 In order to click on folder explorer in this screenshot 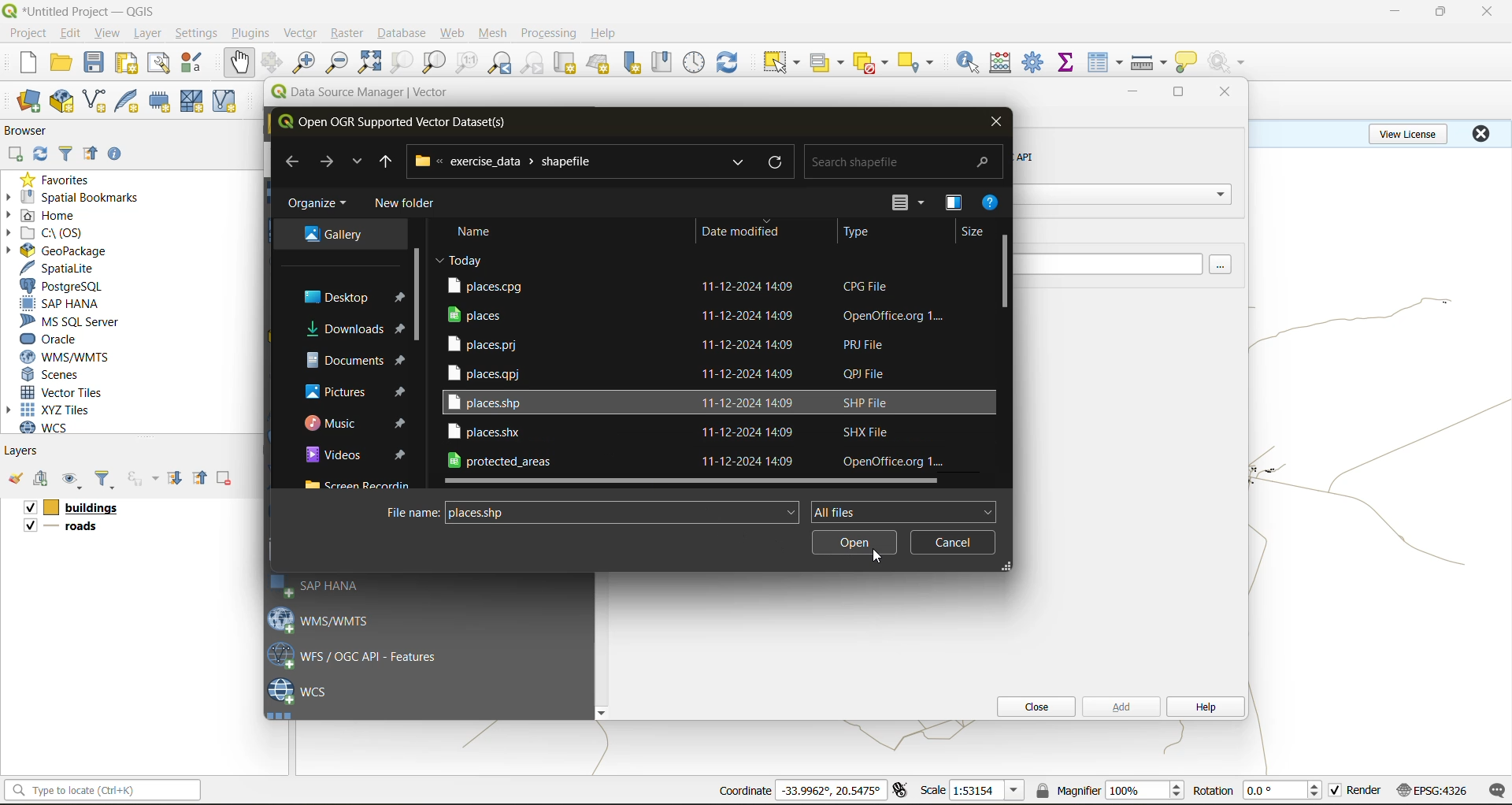, I will do `click(357, 424)`.